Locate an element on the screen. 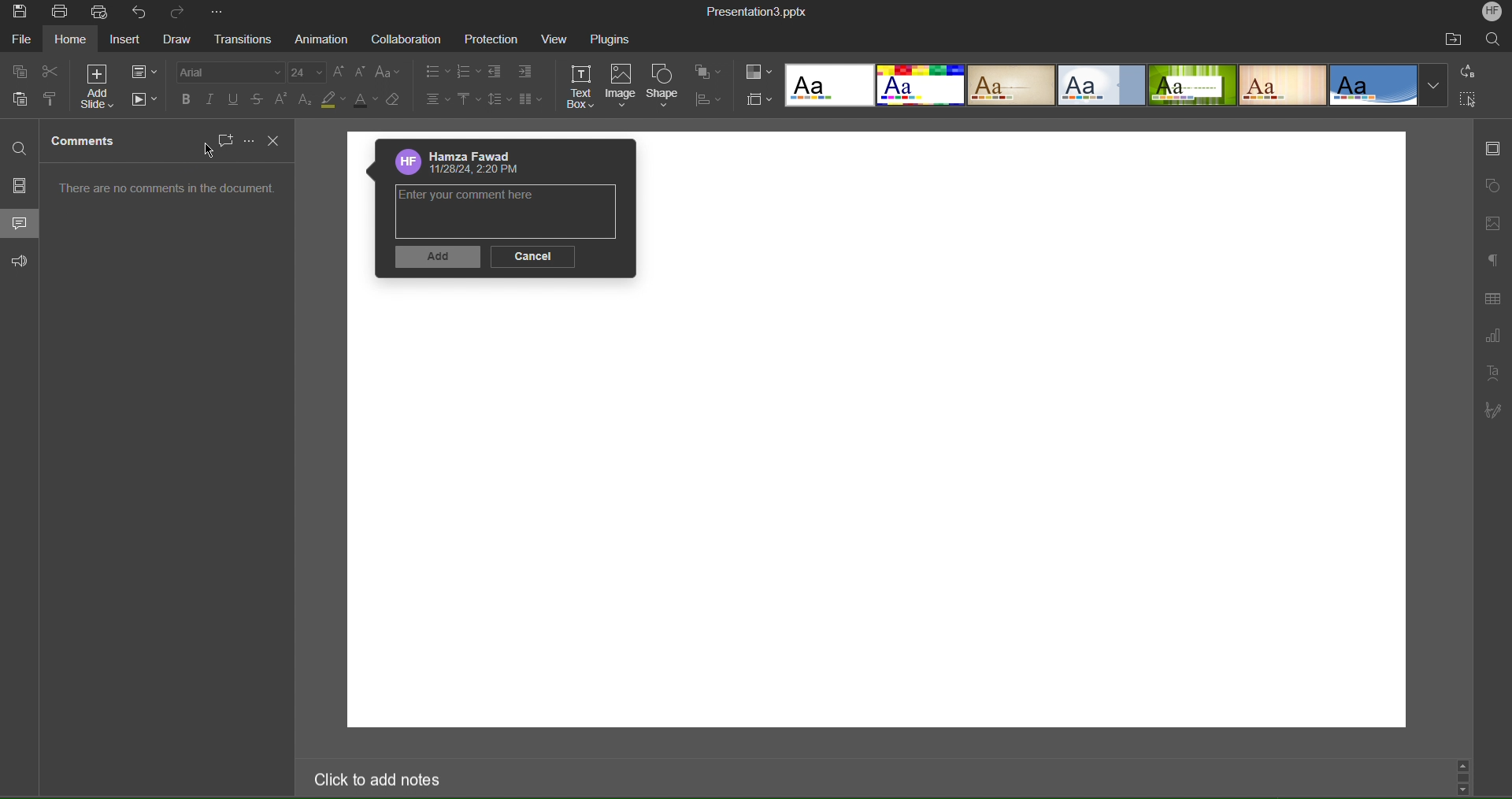 The width and height of the screenshot is (1512, 799). Cancel is located at coordinates (532, 256).